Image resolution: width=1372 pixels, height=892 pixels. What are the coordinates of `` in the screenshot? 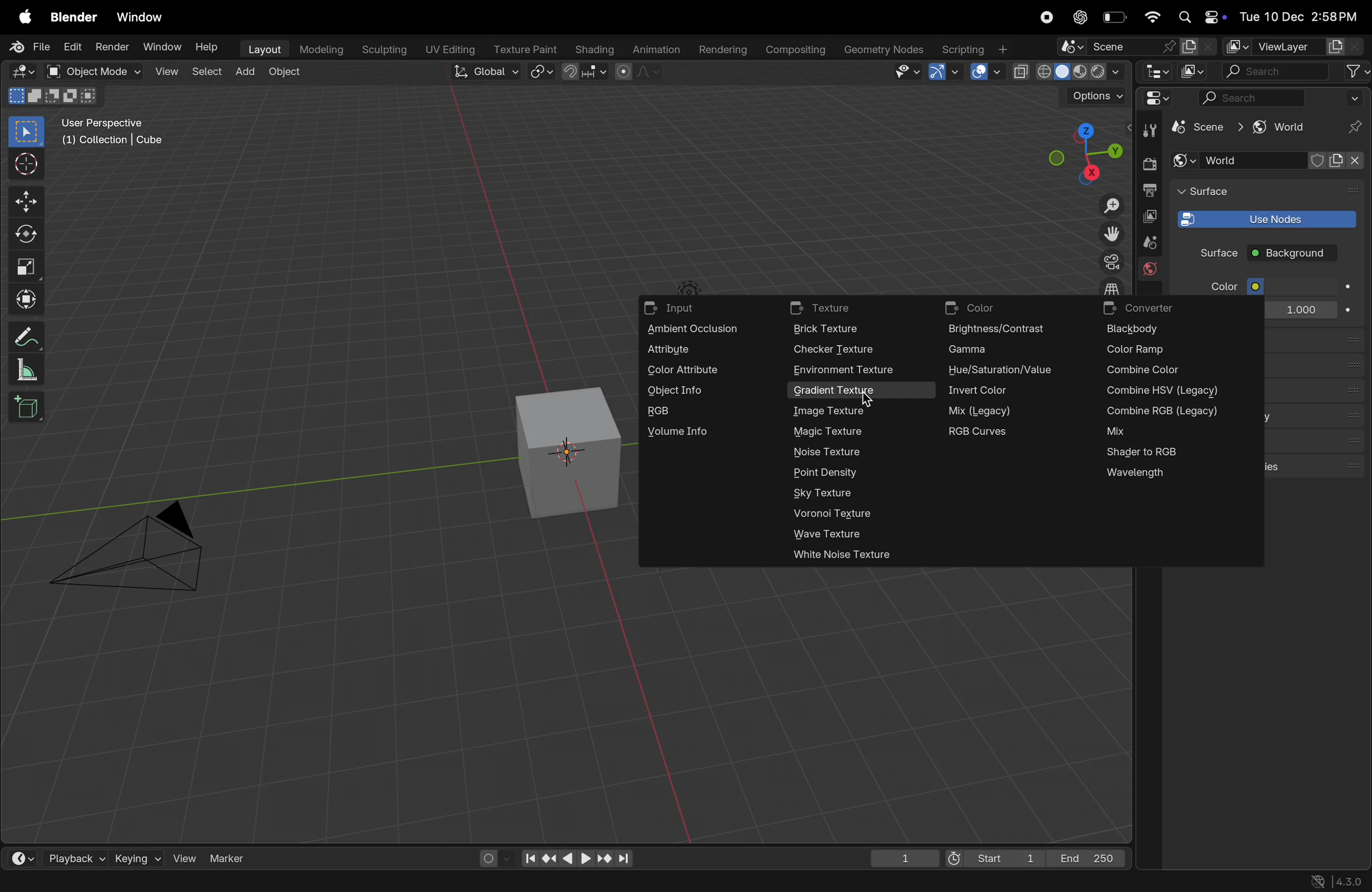 It's located at (858, 391).